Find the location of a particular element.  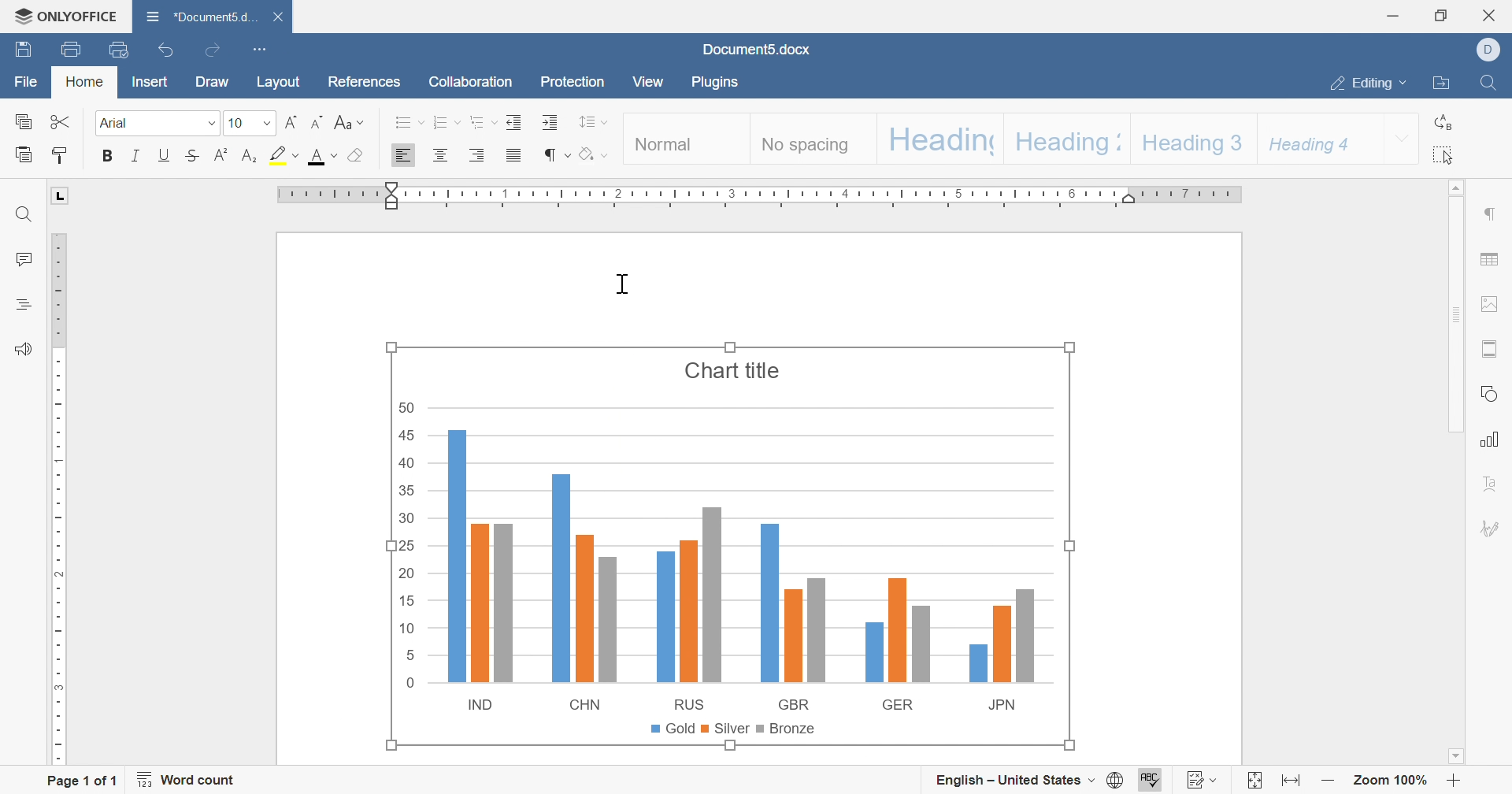

zoom in is located at coordinates (1455, 781).